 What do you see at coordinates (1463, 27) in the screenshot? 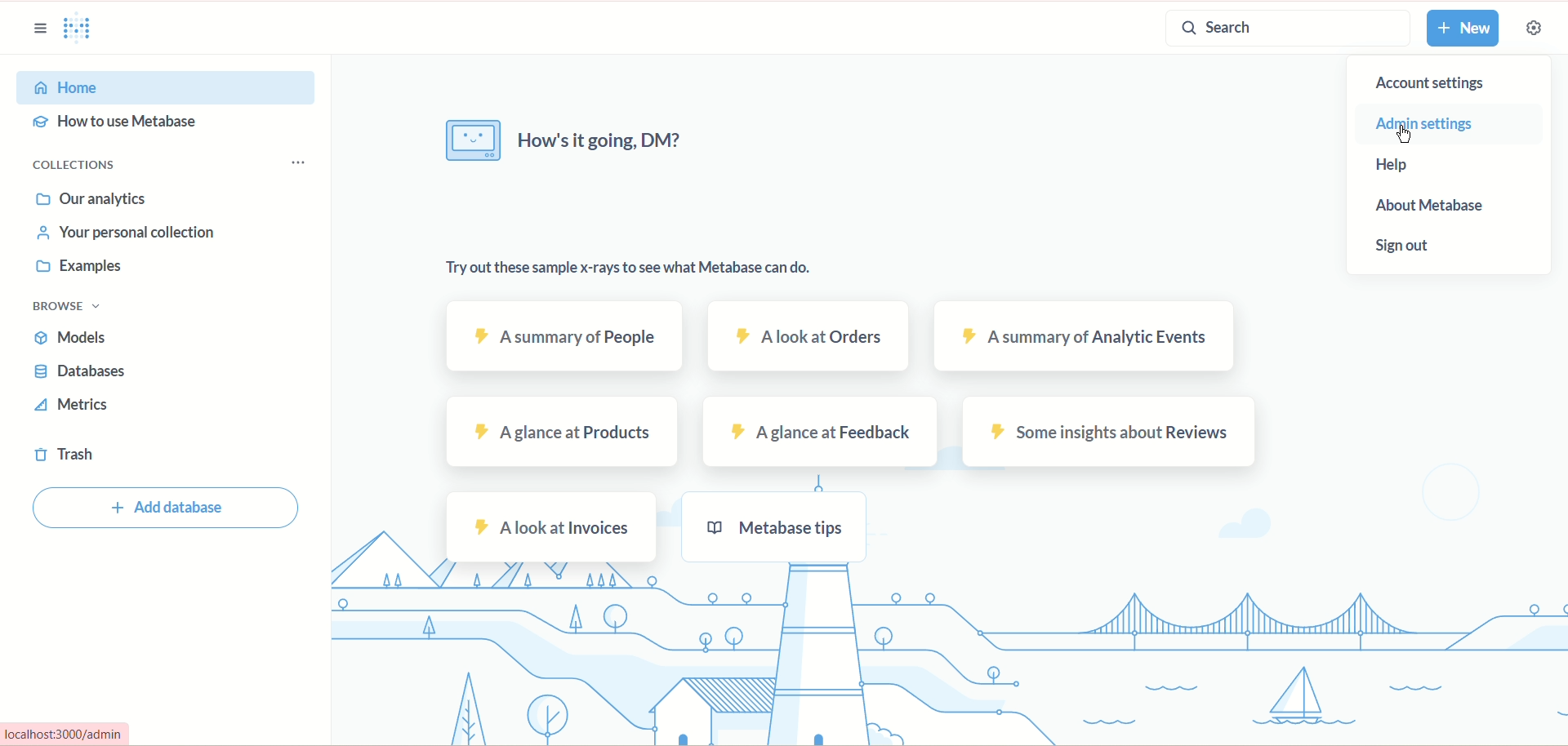
I see `new` at bounding box center [1463, 27].